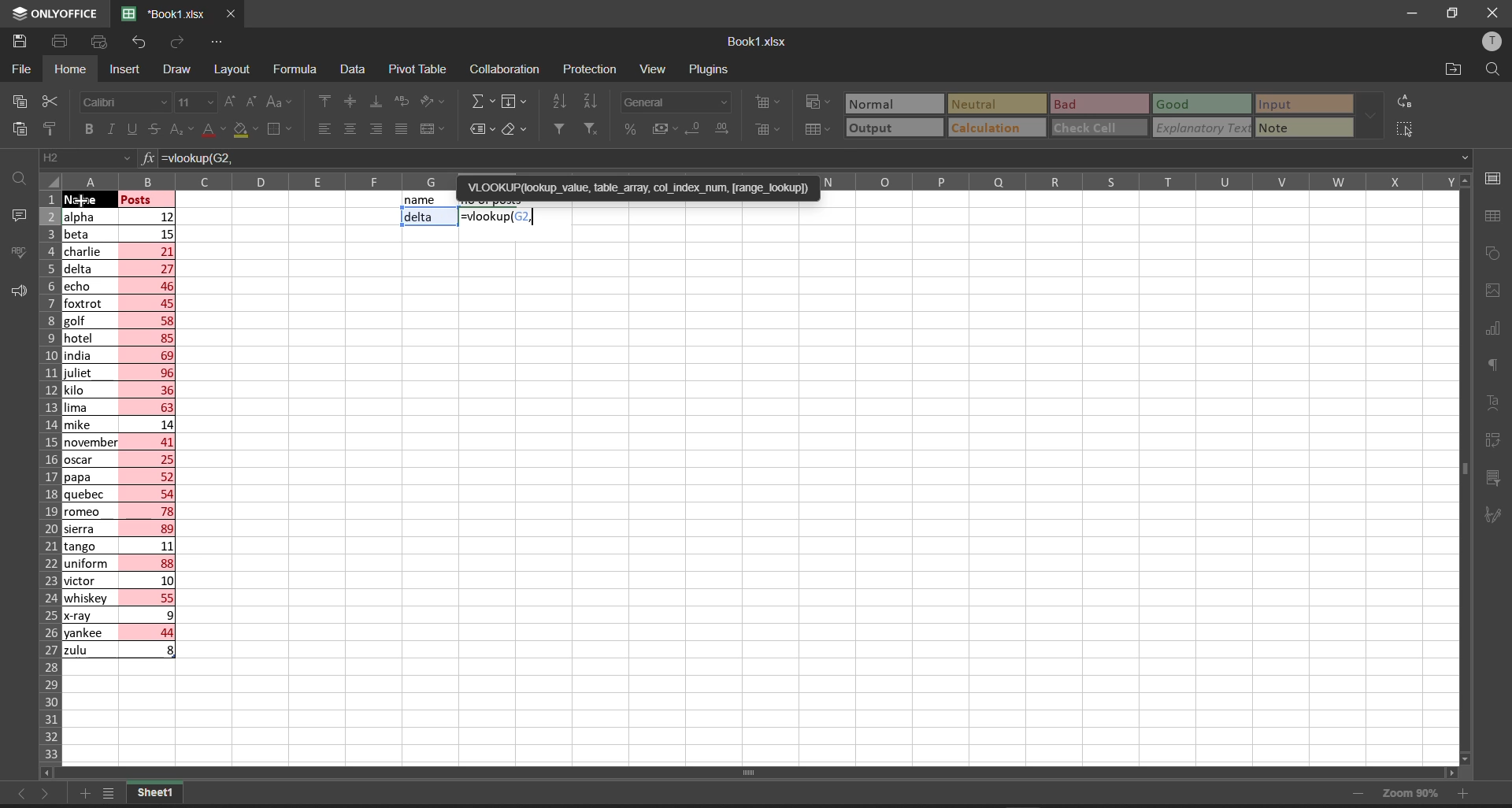 The image size is (1512, 808). What do you see at coordinates (755, 42) in the screenshot?
I see `book name` at bounding box center [755, 42].